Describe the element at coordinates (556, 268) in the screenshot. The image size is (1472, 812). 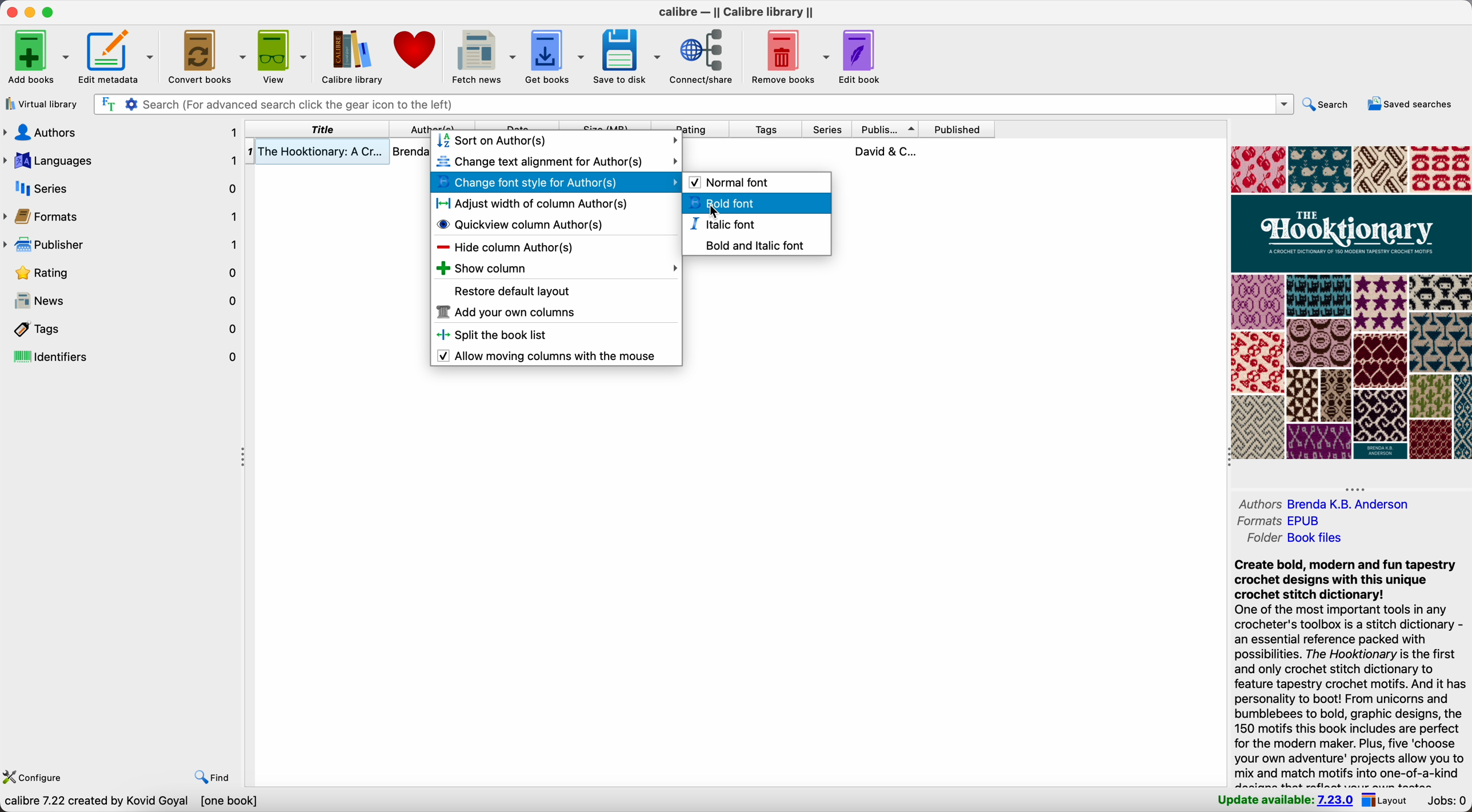
I see `show column` at that location.